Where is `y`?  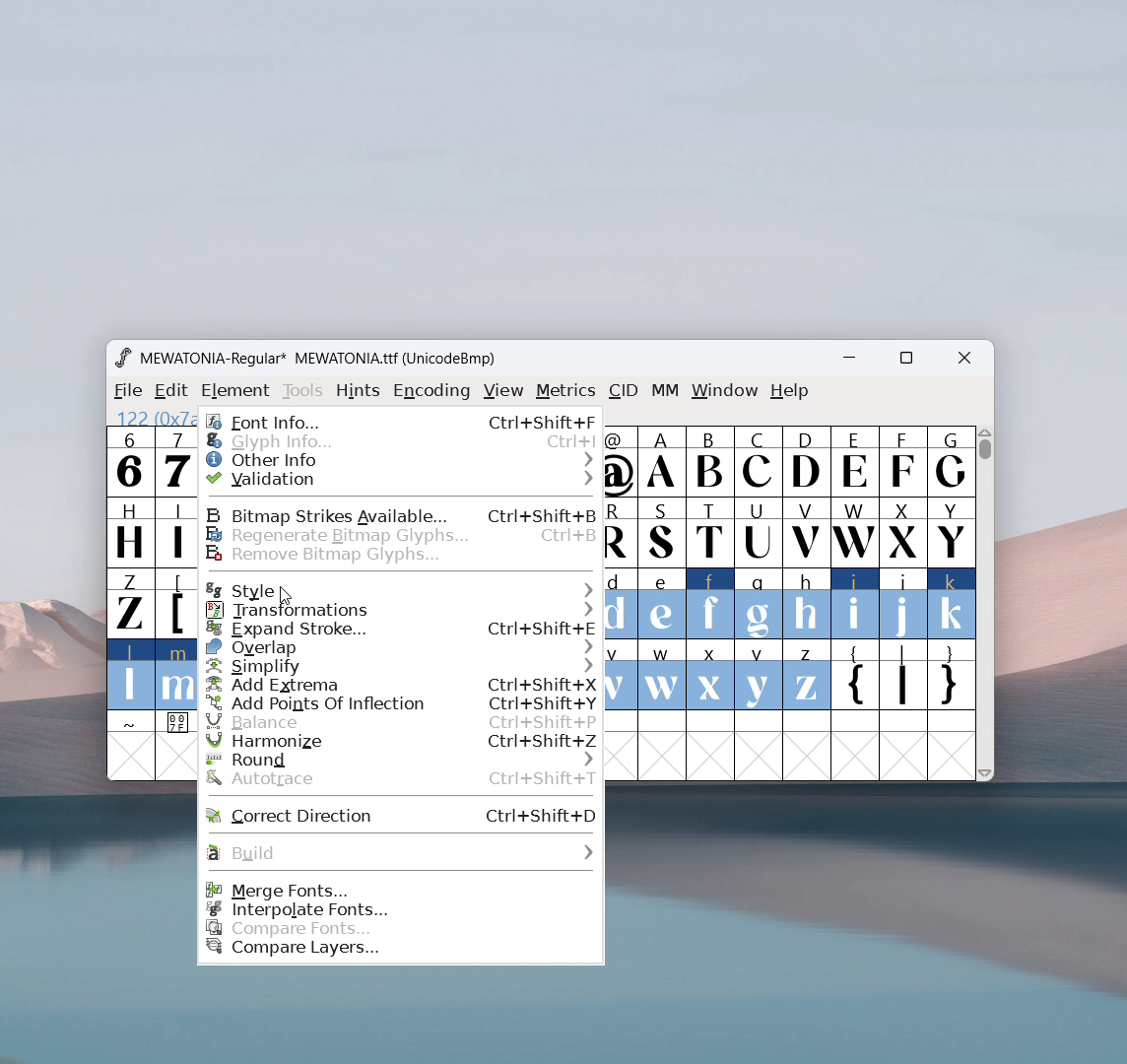
y is located at coordinates (760, 676).